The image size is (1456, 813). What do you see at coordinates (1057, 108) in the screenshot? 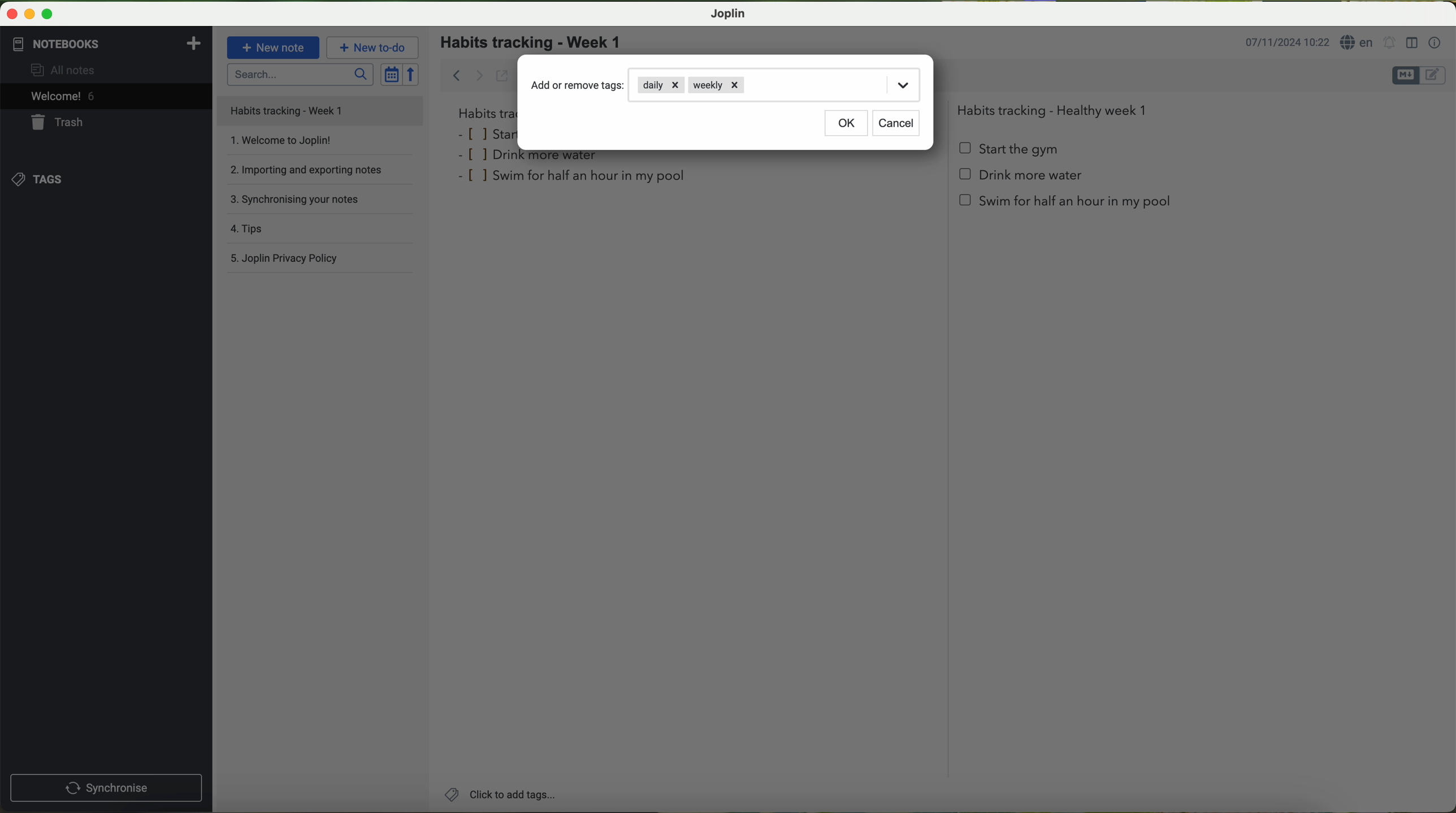
I see `Habits tracking - Healthy week 1` at bounding box center [1057, 108].